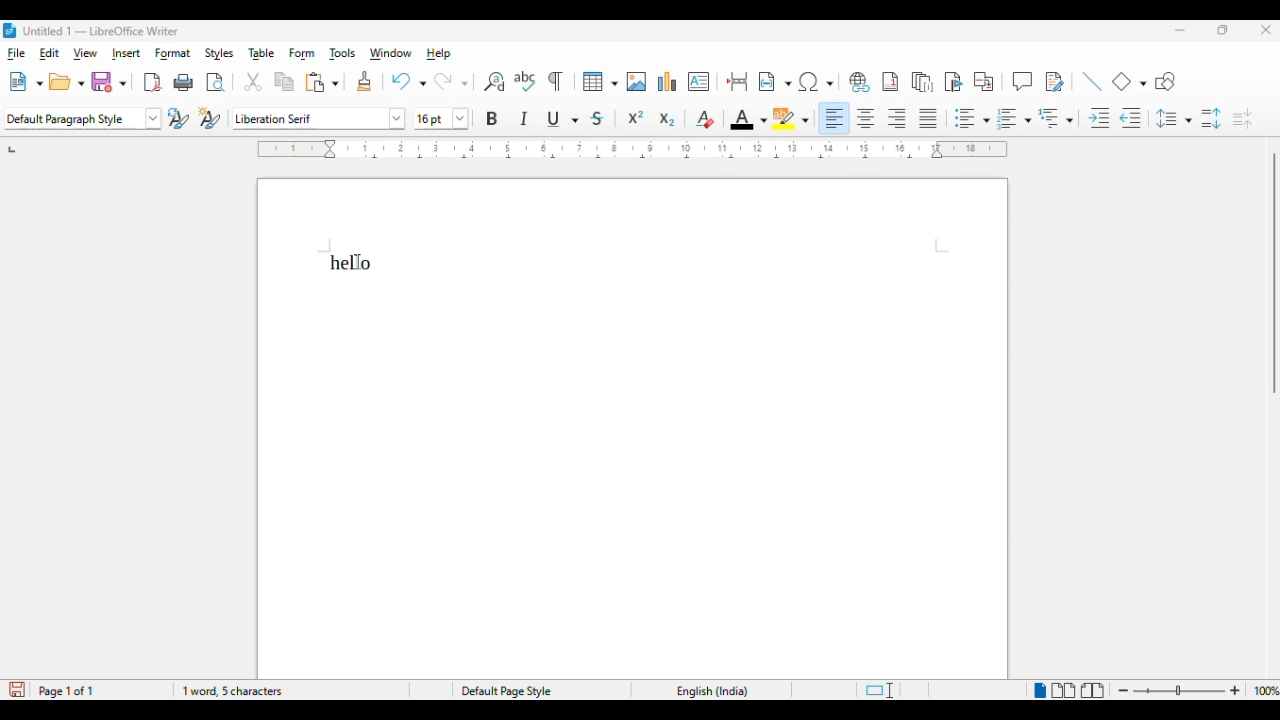 The height and width of the screenshot is (720, 1280). I want to click on insert, so click(126, 53).